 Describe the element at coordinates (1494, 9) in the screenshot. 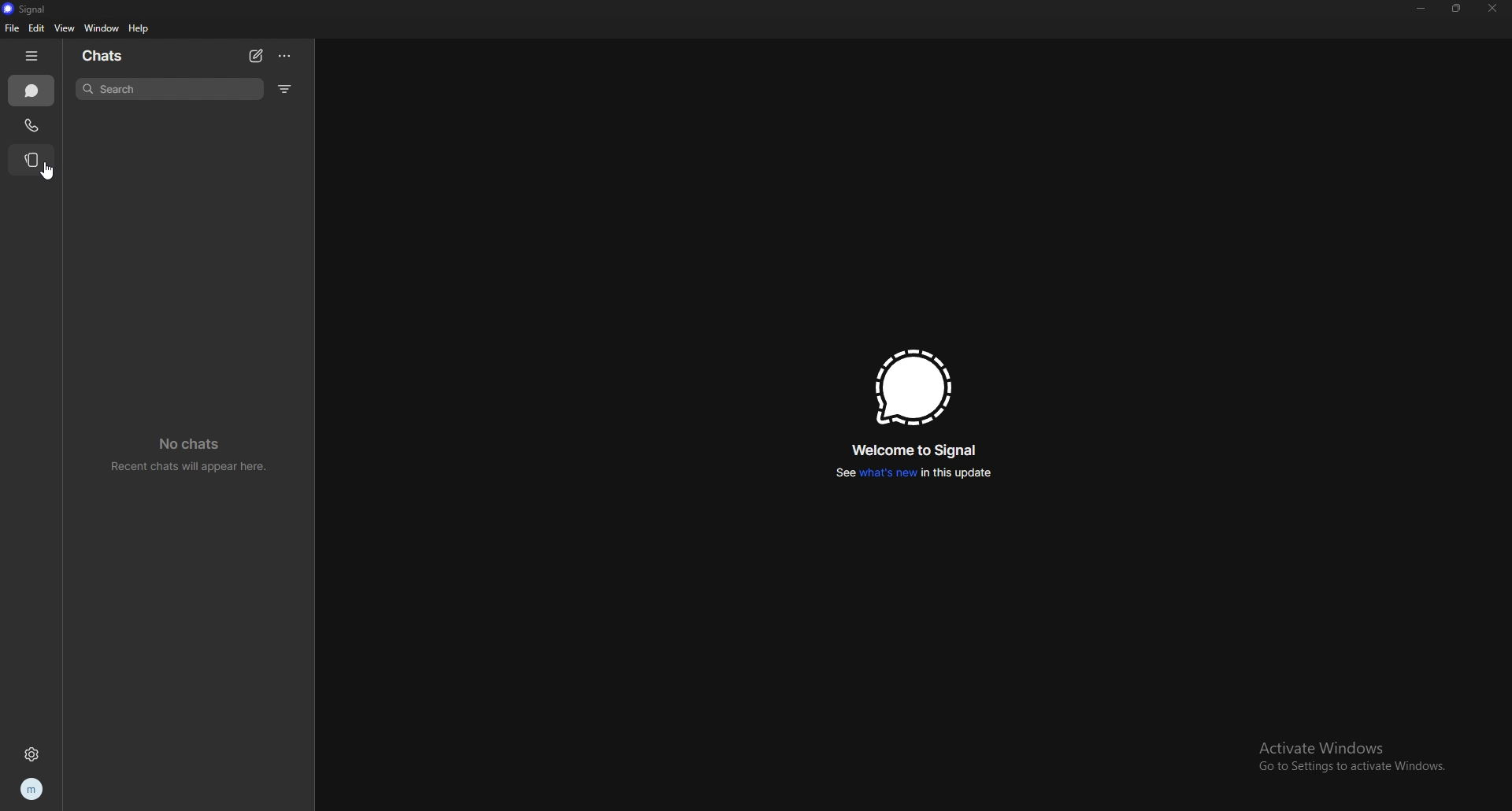

I see `close` at that location.